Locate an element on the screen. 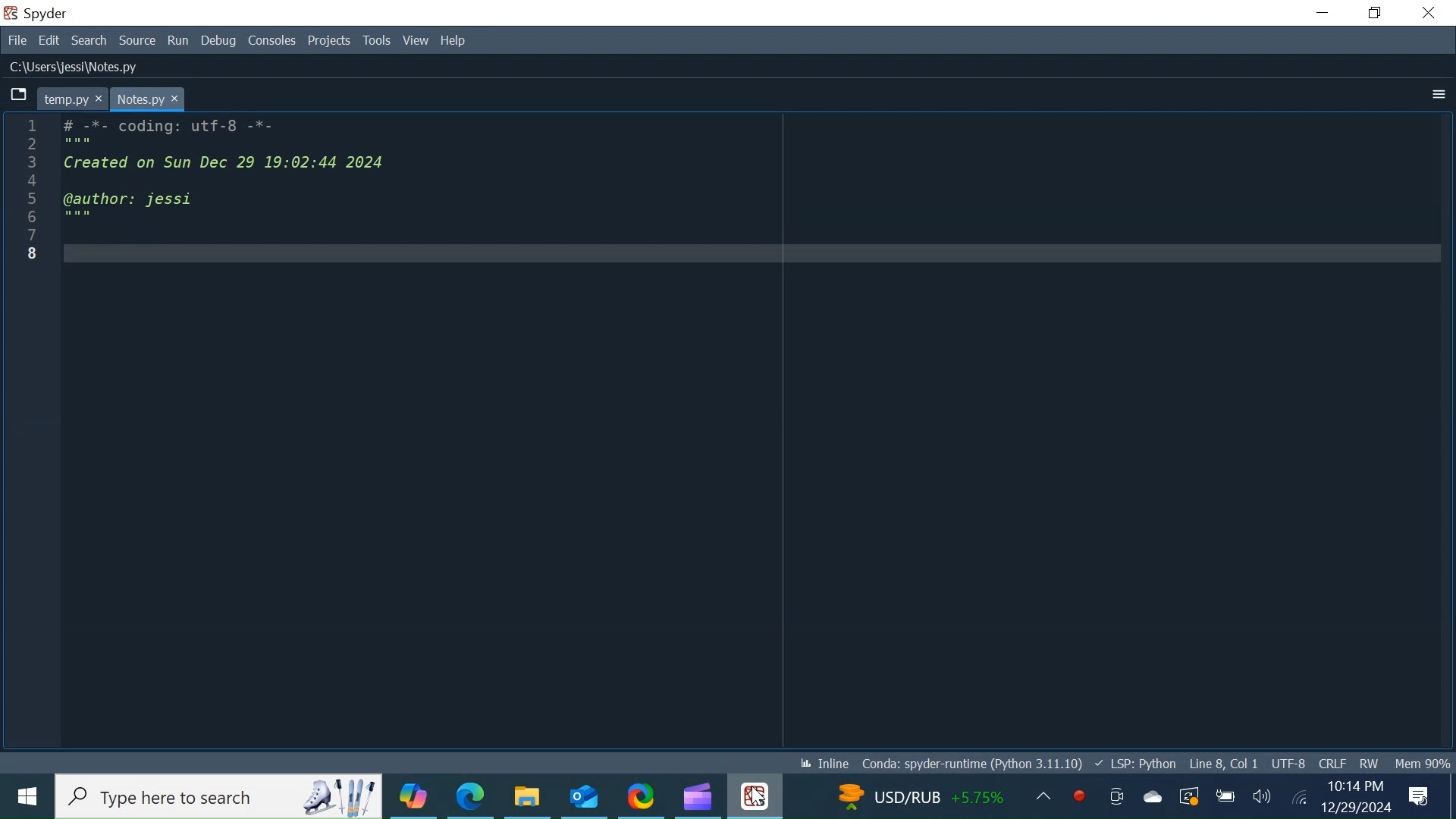 Image resolution: width=1456 pixels, height=819 pixels. Time is located at coordinates (1355, 786).